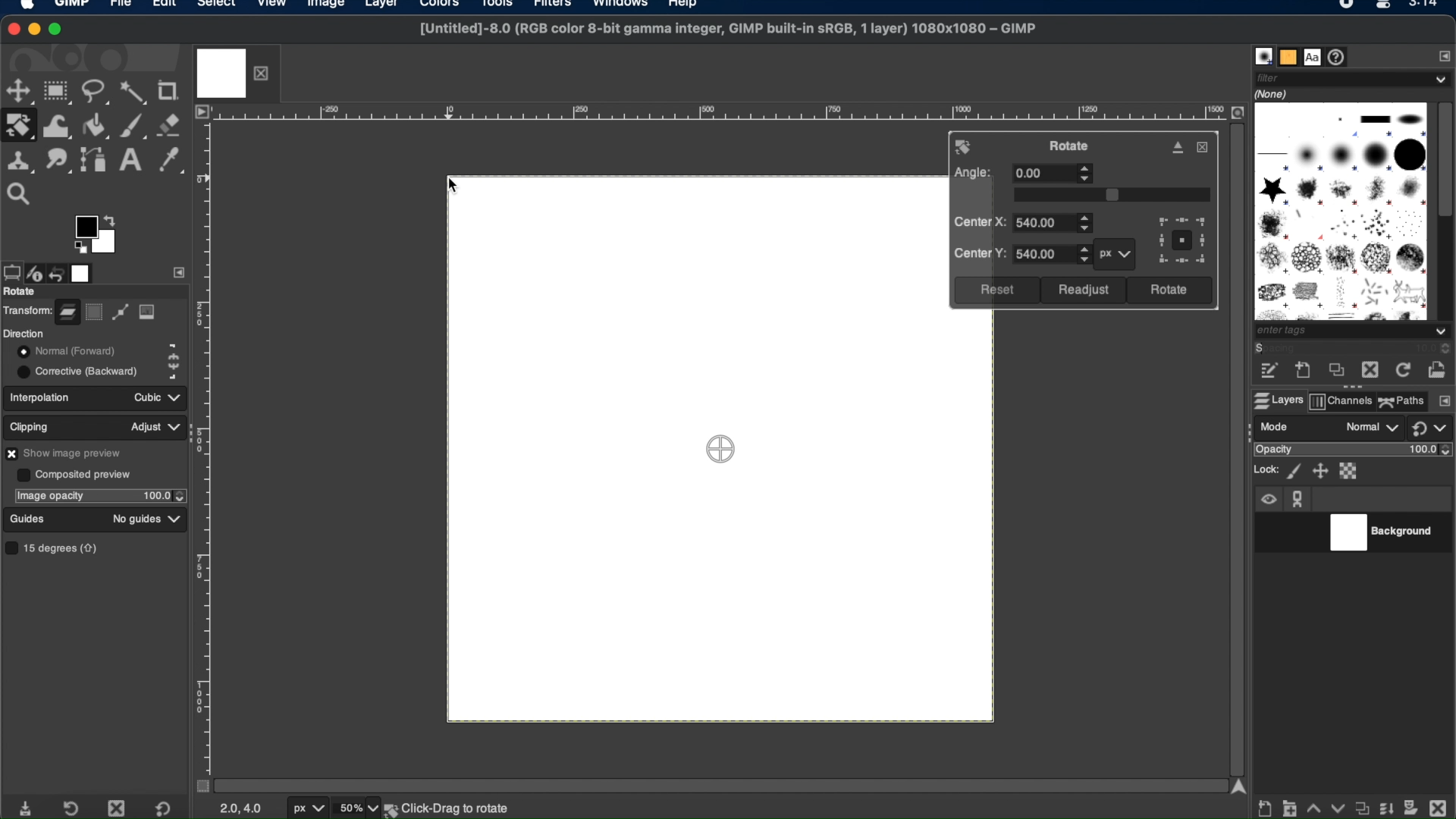  I want to click on normal forward toggle button, so click(64, 351).